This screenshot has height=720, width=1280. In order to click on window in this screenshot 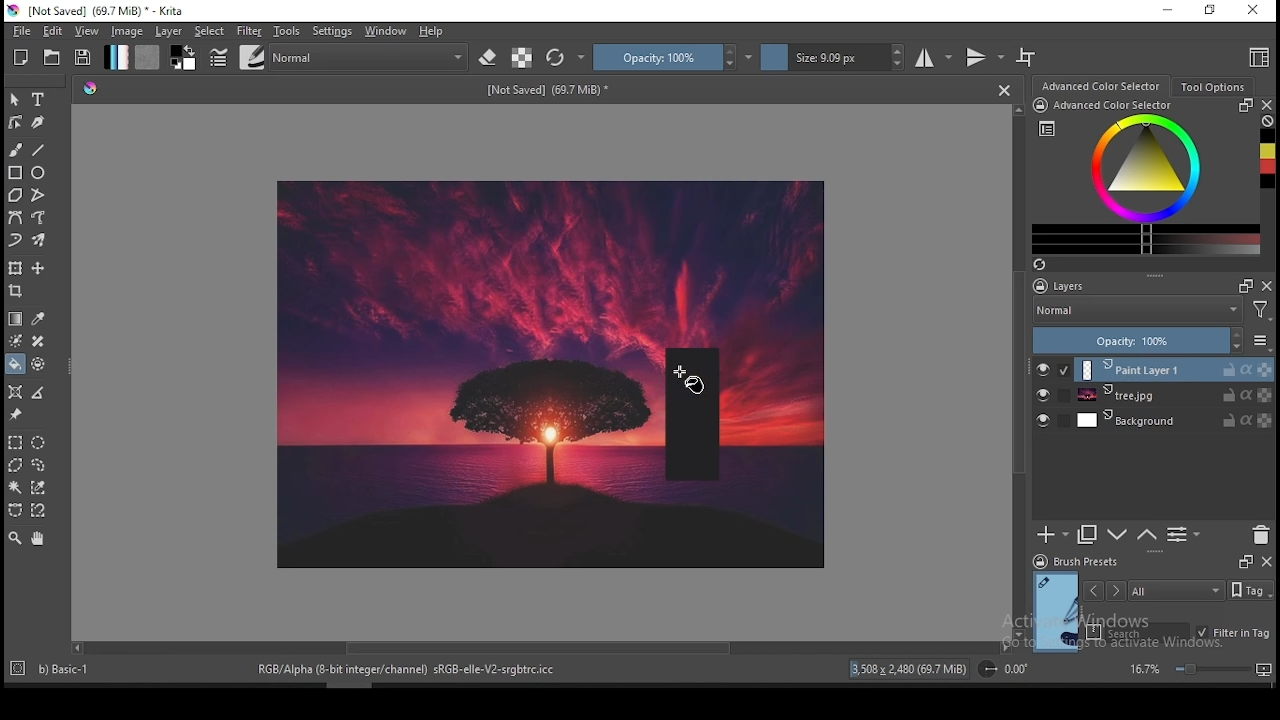, I will do `click(386, 31)`.